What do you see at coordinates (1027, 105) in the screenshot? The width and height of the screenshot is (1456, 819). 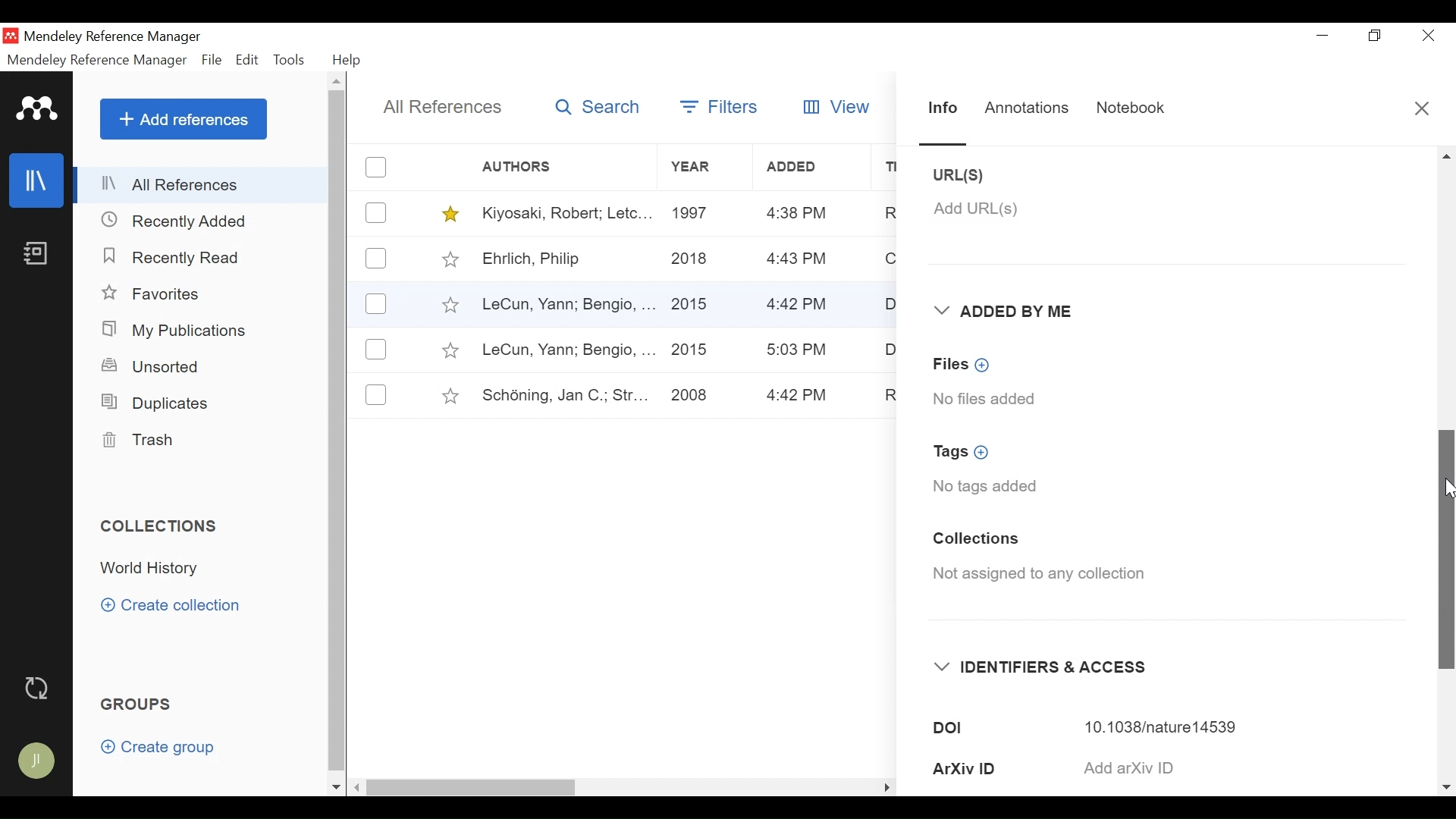 I see `Annotations` at bounding box center [1027, 105].